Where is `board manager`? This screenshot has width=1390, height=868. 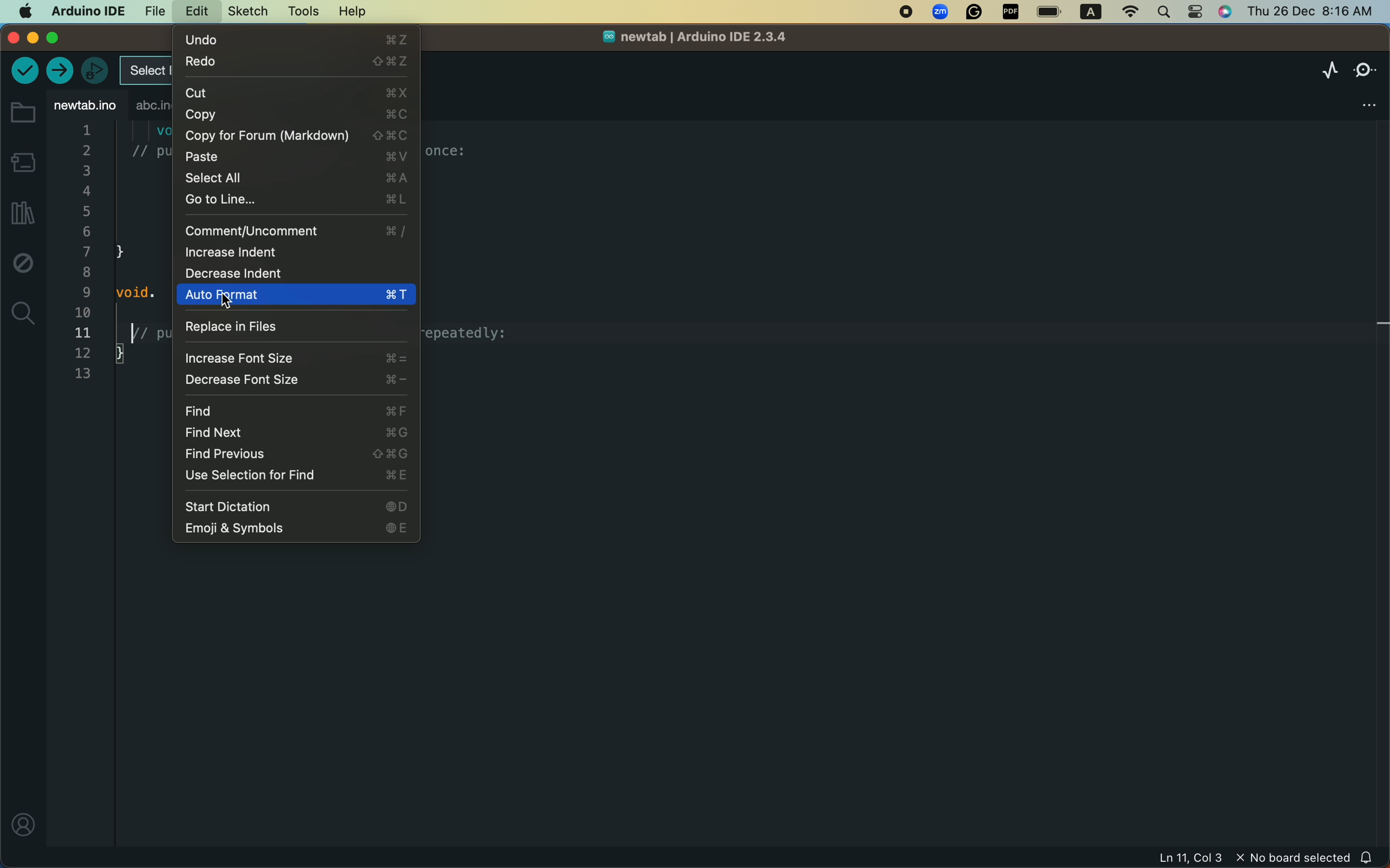
board manager is located at coordinates (22, 161).